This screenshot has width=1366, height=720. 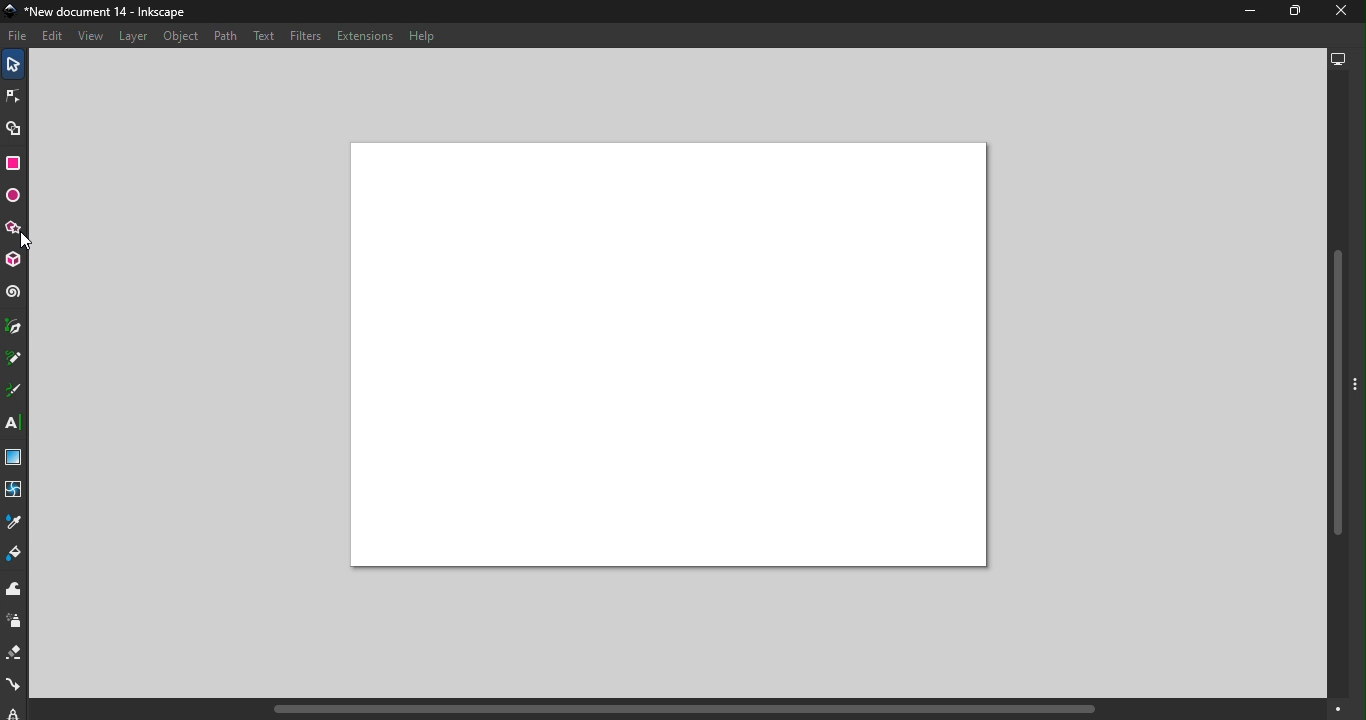 I want to click on Rectangle tool, so click(x=13, y=165).